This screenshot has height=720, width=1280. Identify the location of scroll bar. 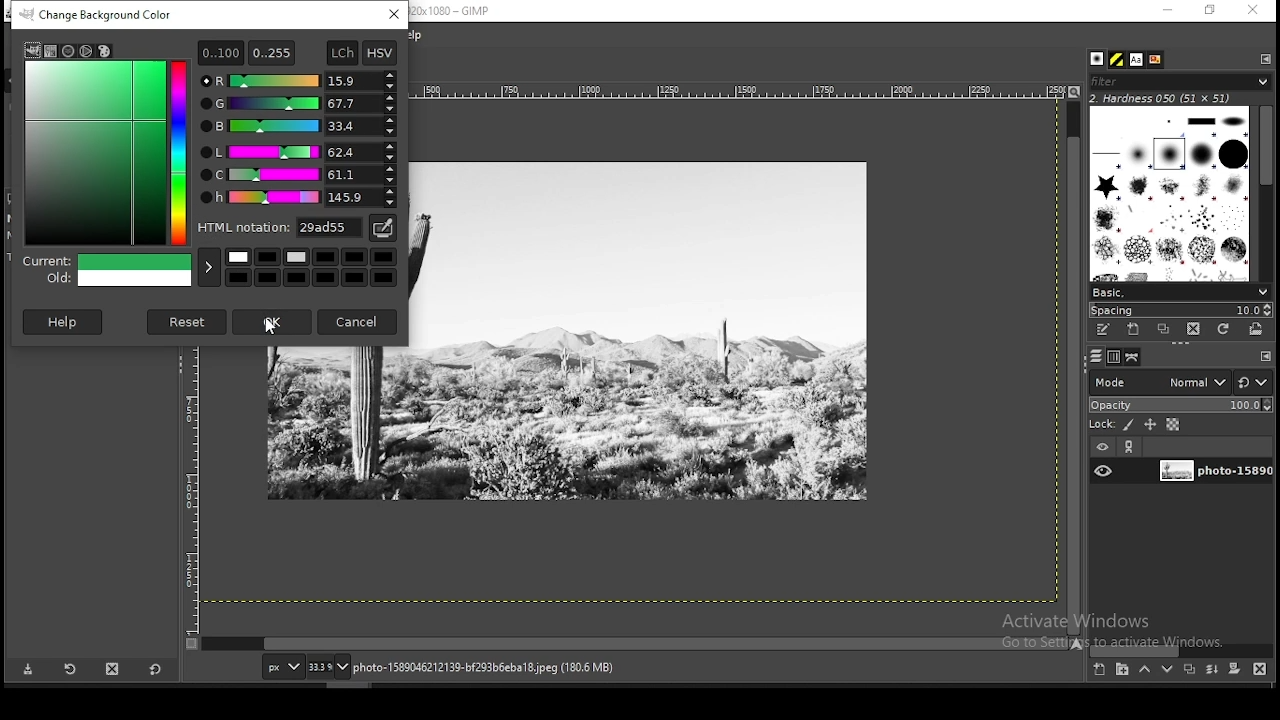
(1181, 650).